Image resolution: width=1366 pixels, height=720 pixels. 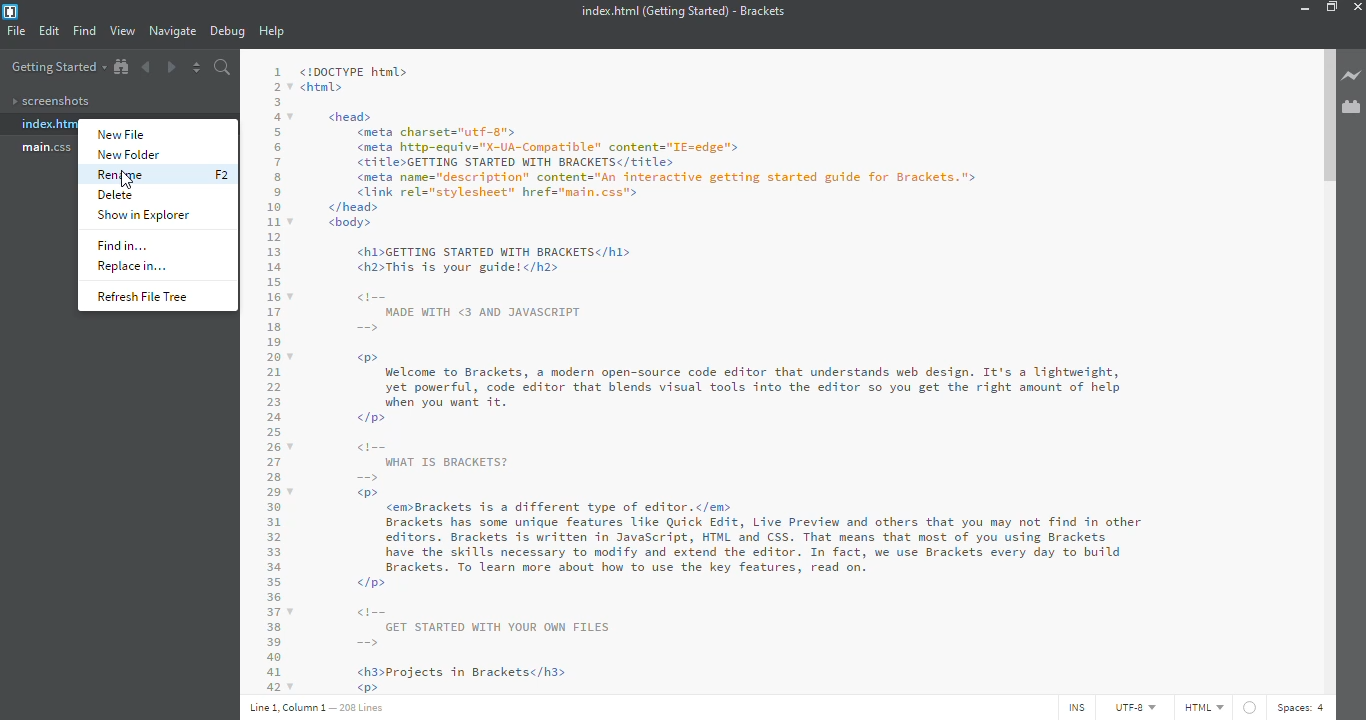 I want to click on rename, so click(x=122, y=175).